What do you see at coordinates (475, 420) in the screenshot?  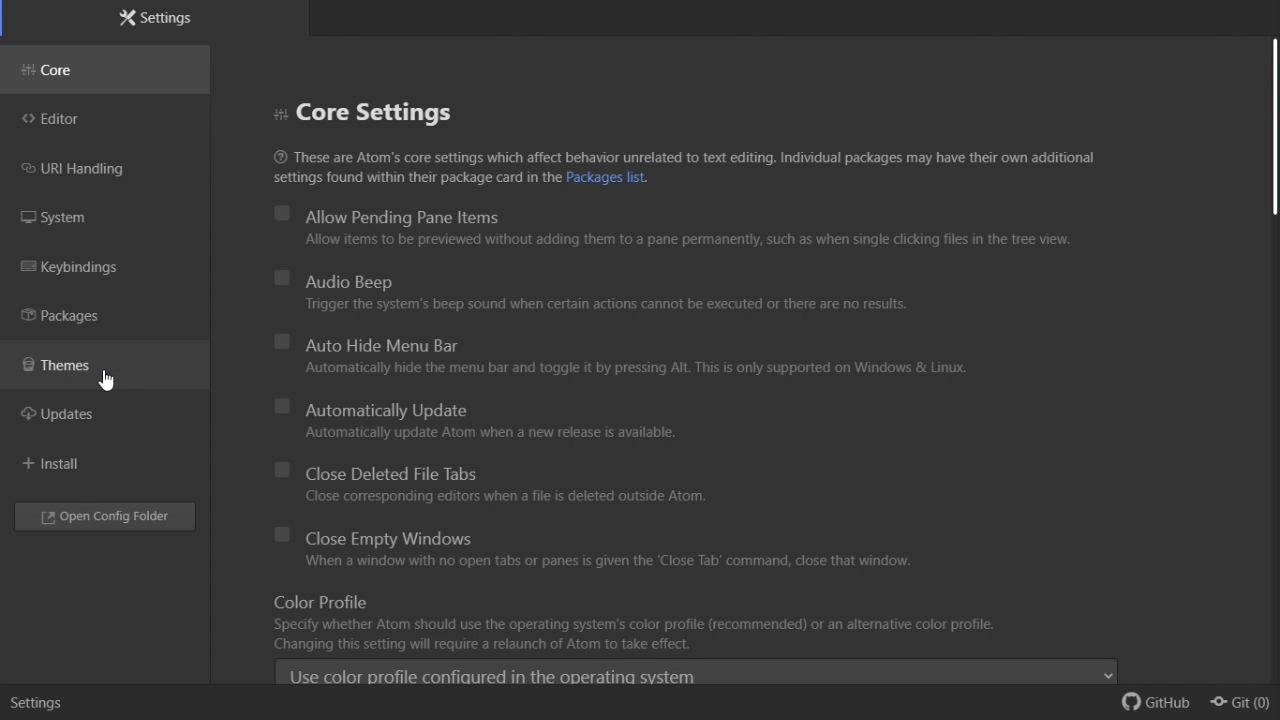 I see `Automatically update` at bounding box center [475, 420].